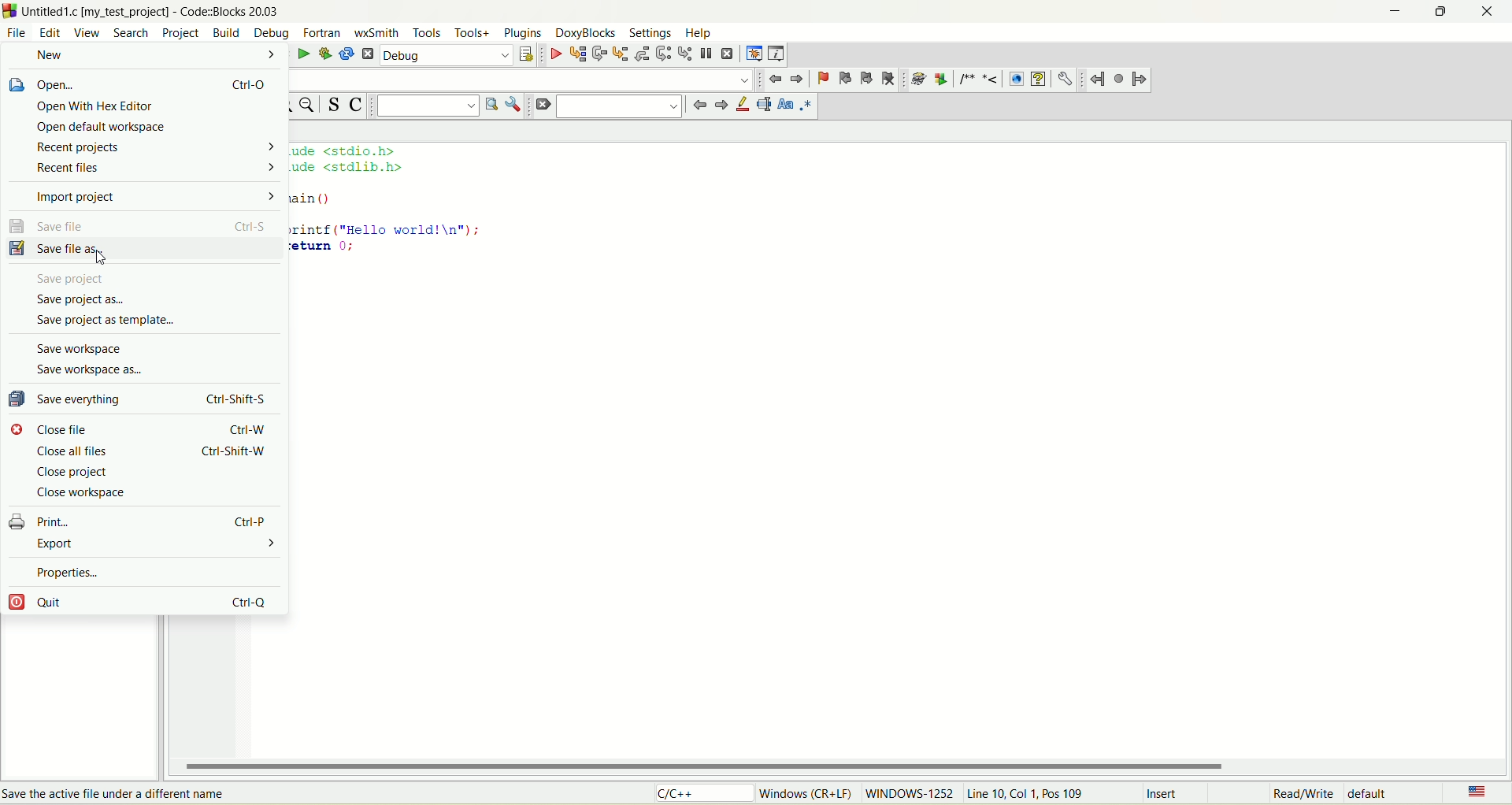 The height and width of the screenshot is (805, 1512). What do you see at coordinates (621, 54) in the screenshot?
I see `step into` at bounding box center [621, 54].